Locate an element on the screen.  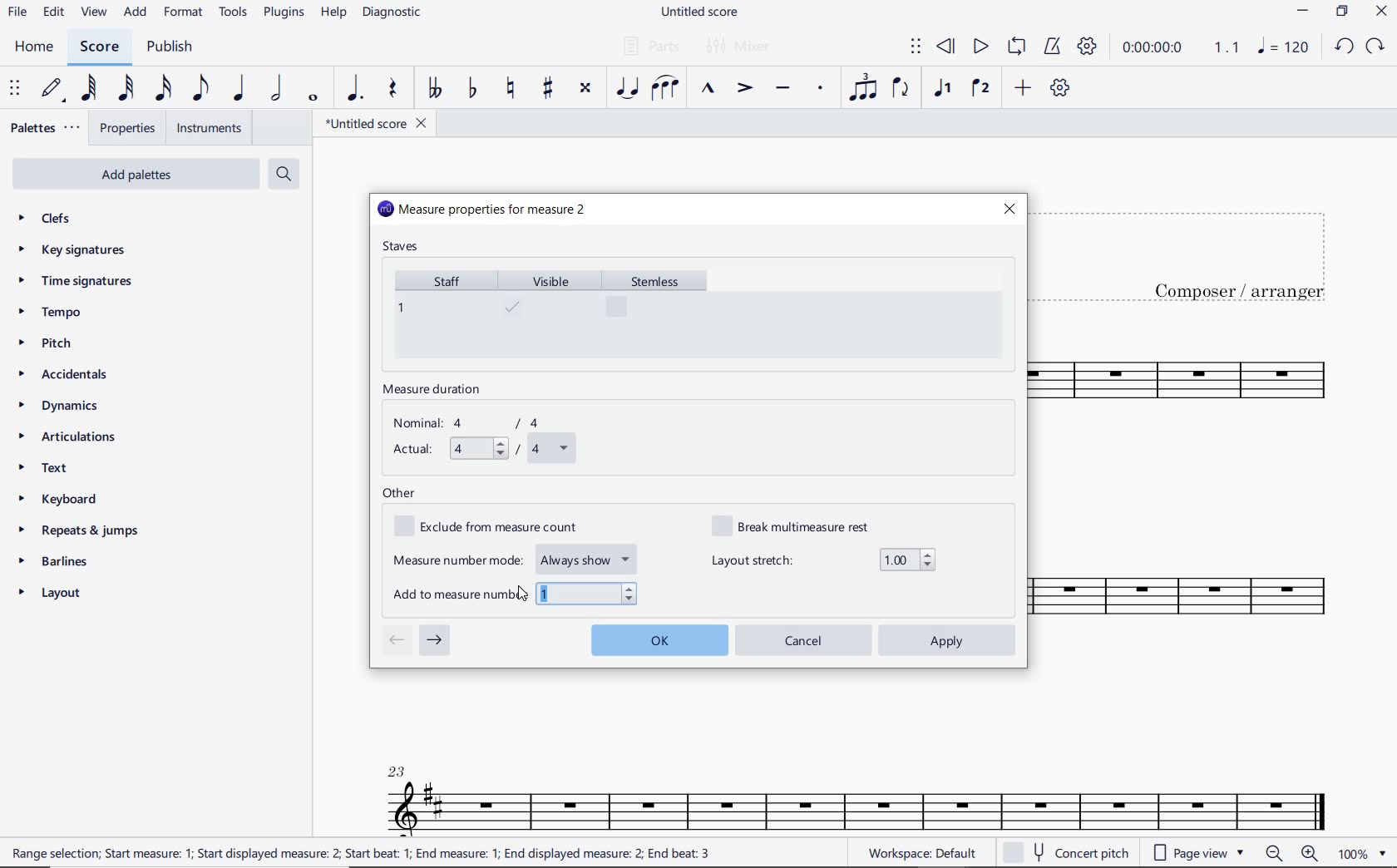
TIE is located at coordinates (627, 87).